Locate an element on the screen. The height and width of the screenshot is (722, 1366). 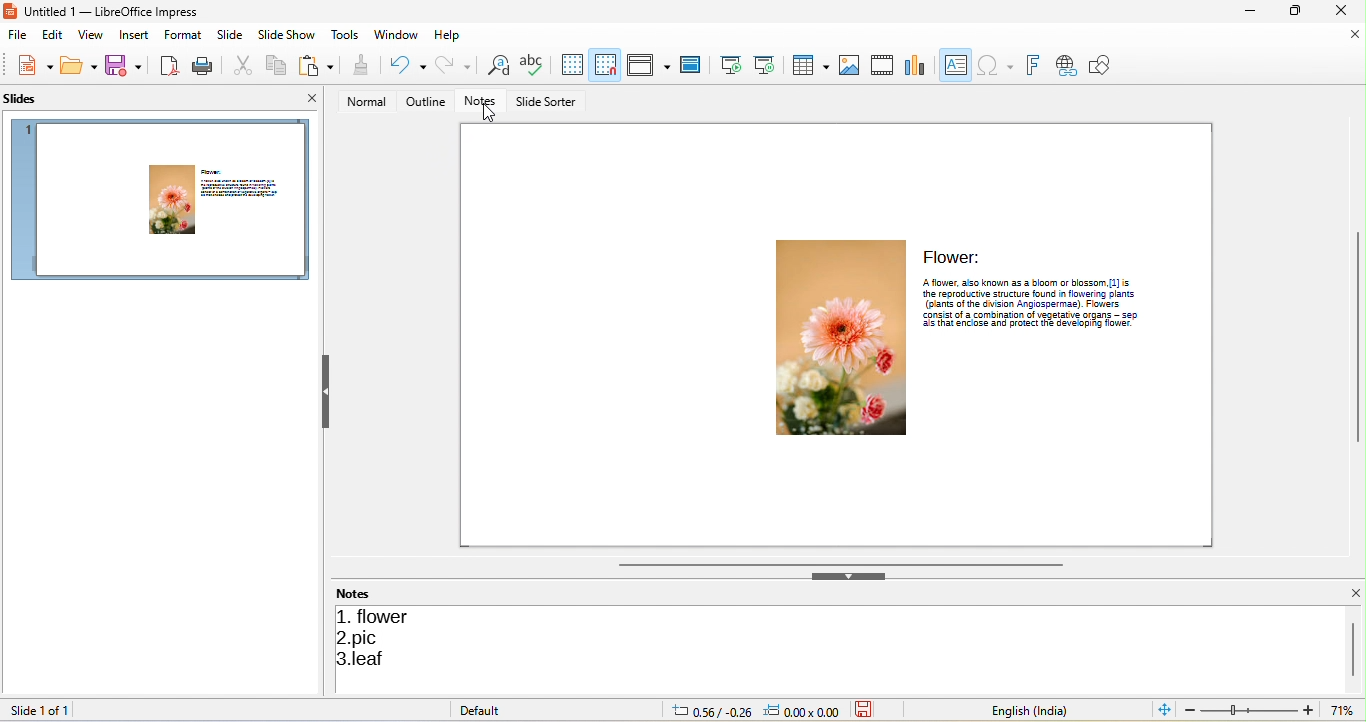
edit zoom is located at coordinates (1249, 710).